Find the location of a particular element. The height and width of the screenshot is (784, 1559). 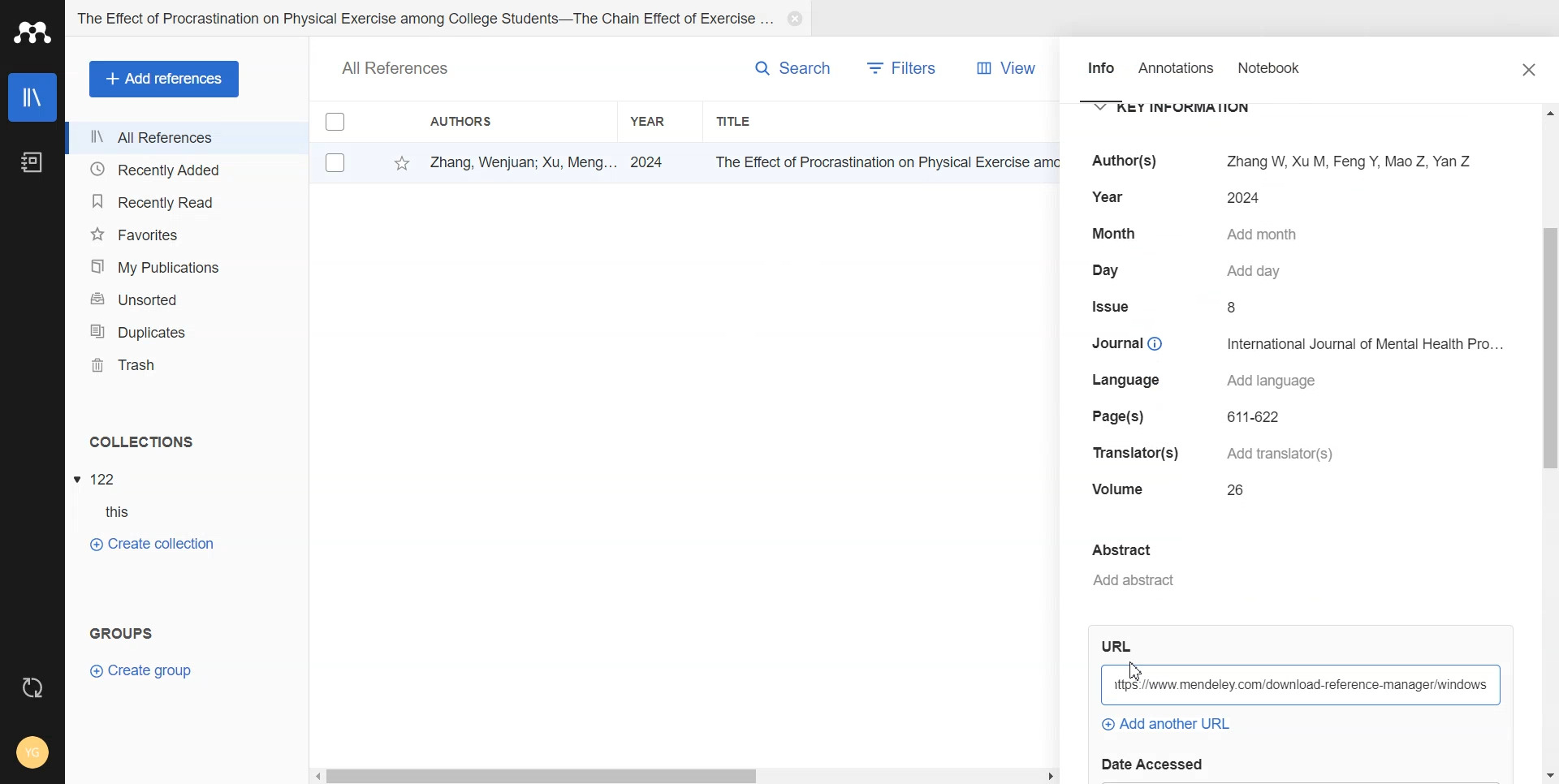

Author(s) Zhang W, XuM, FengY, Mao Z, Yan Z is located at coordinates (1275, 160).